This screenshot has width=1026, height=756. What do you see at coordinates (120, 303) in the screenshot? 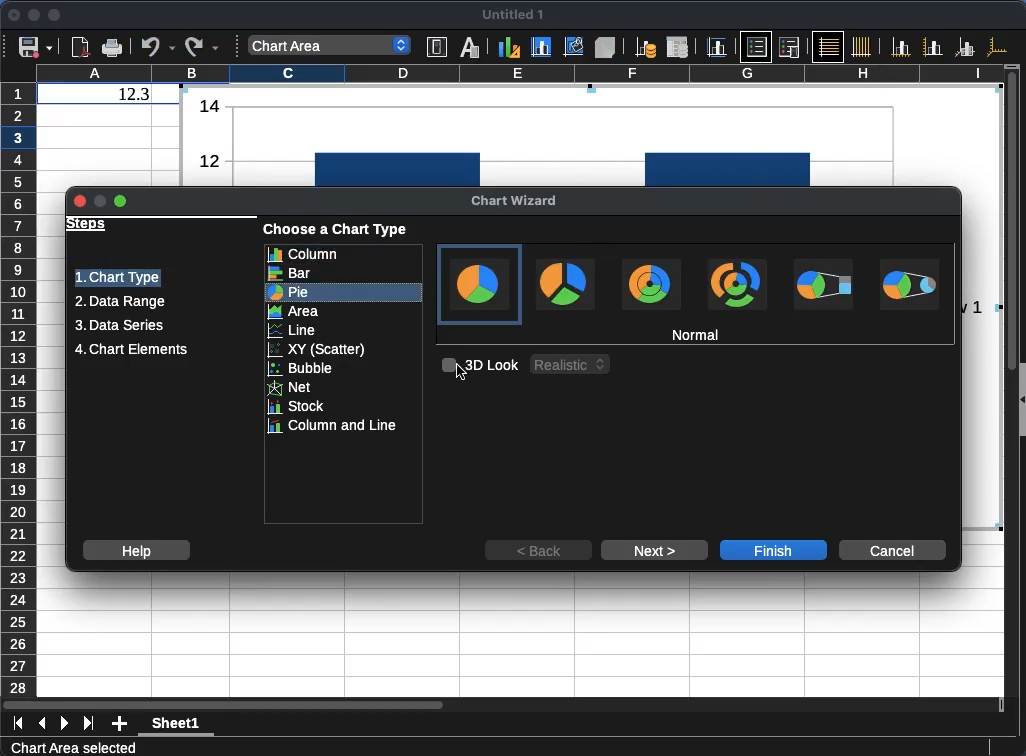
I see `data range` at bounding box center [120, 303].